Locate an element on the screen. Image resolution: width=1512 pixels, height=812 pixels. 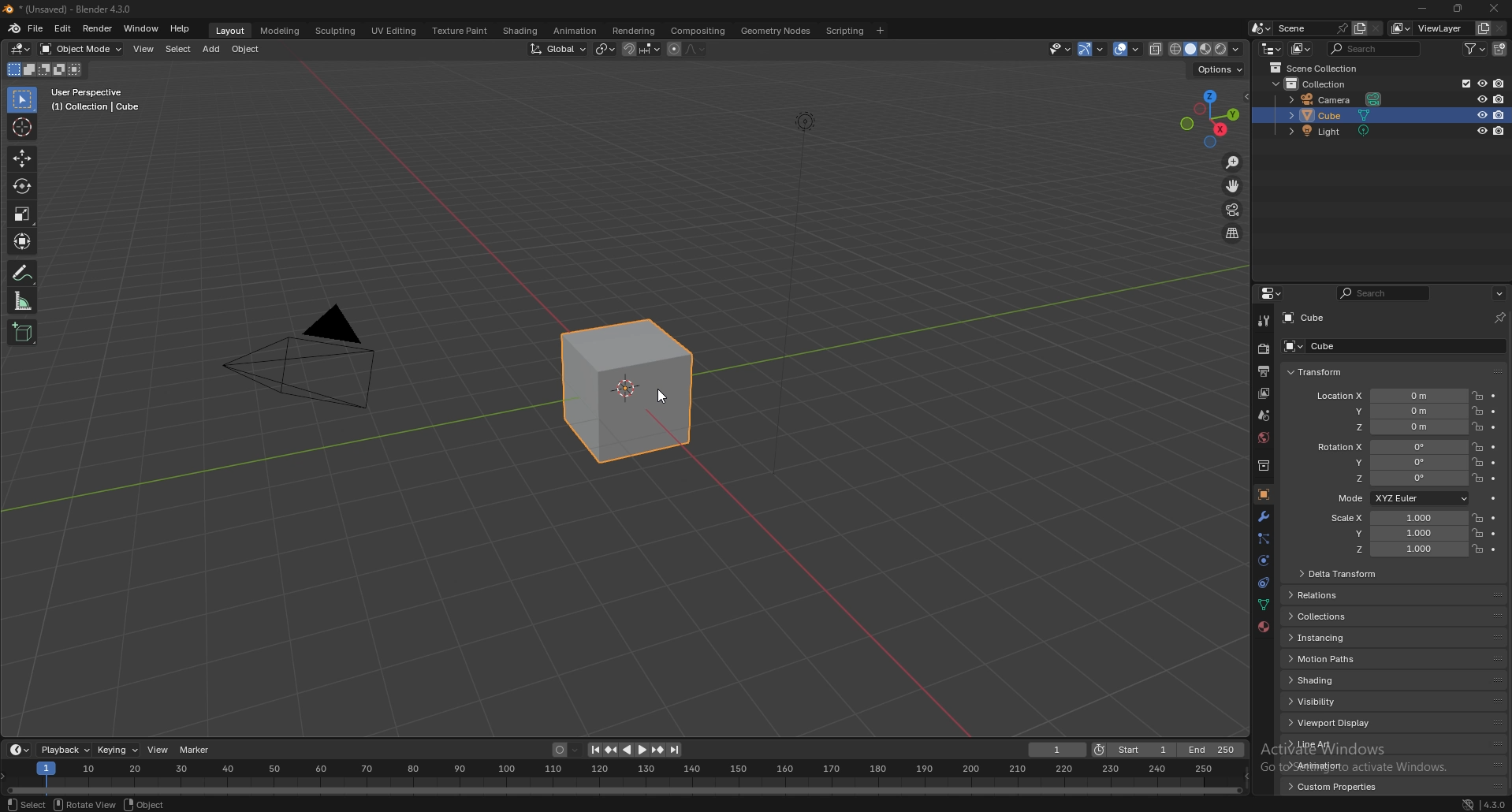
editor is located at coordinates (1272, 293).